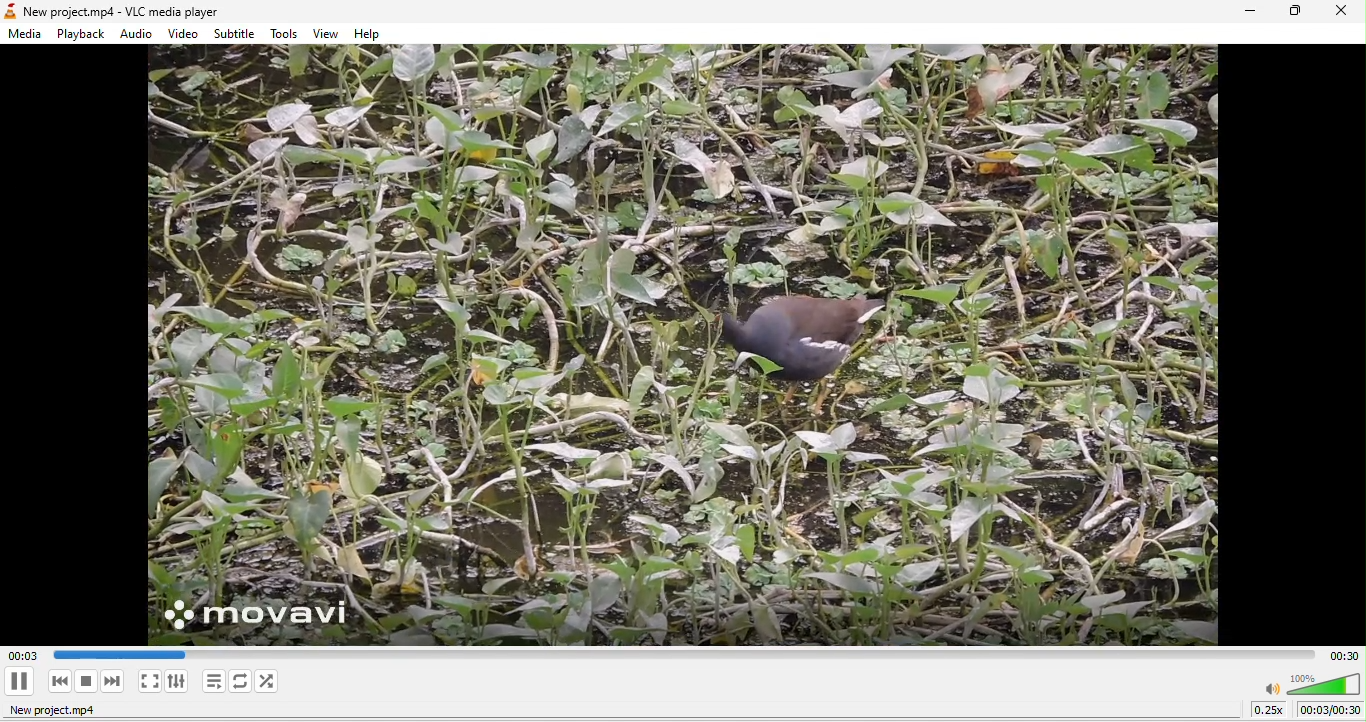 The image size is (1366, 722). I want to click on 00.03, so click(24, 658).